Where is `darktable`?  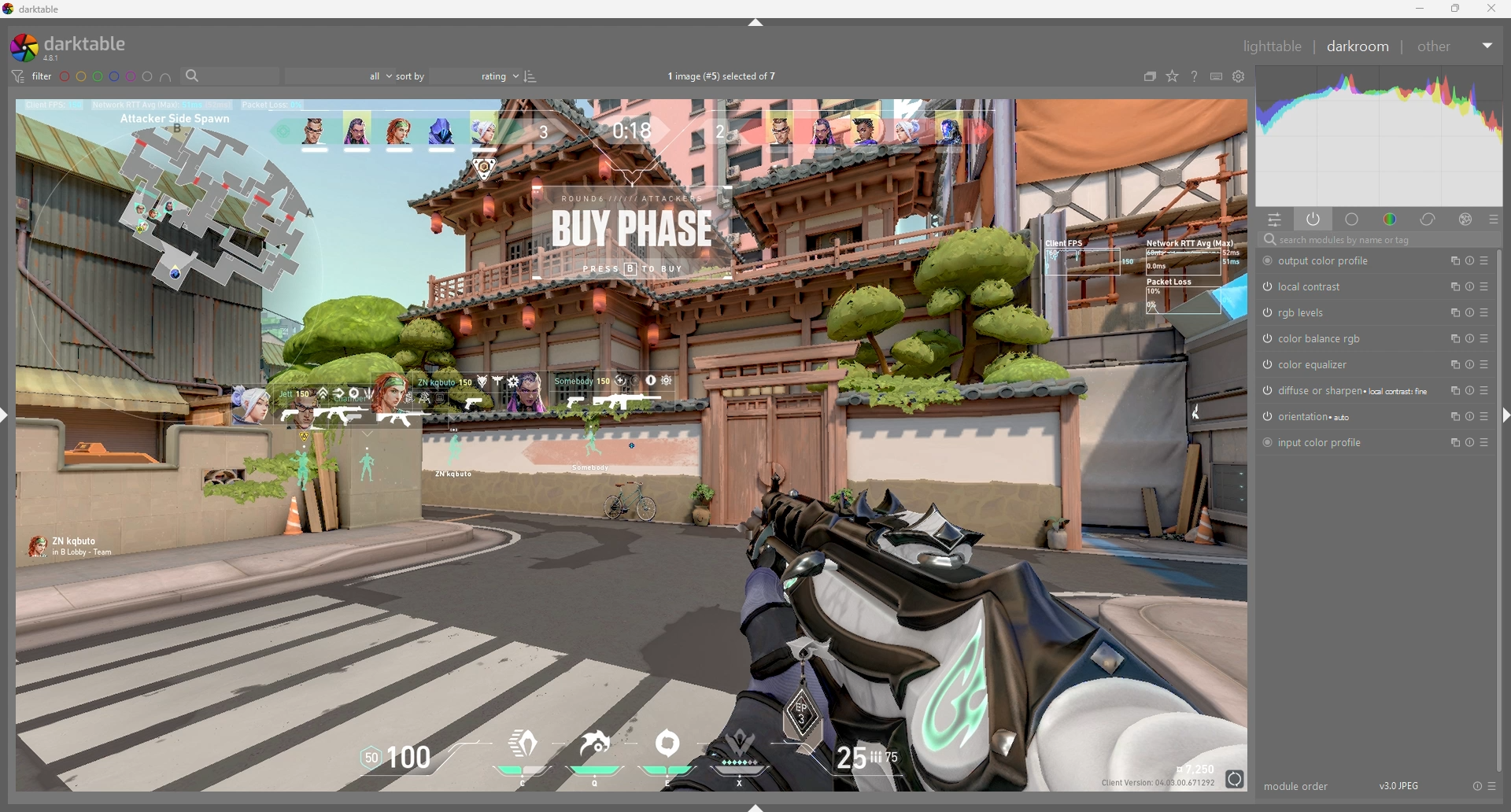 darktable is located at coordinates (35, 9).